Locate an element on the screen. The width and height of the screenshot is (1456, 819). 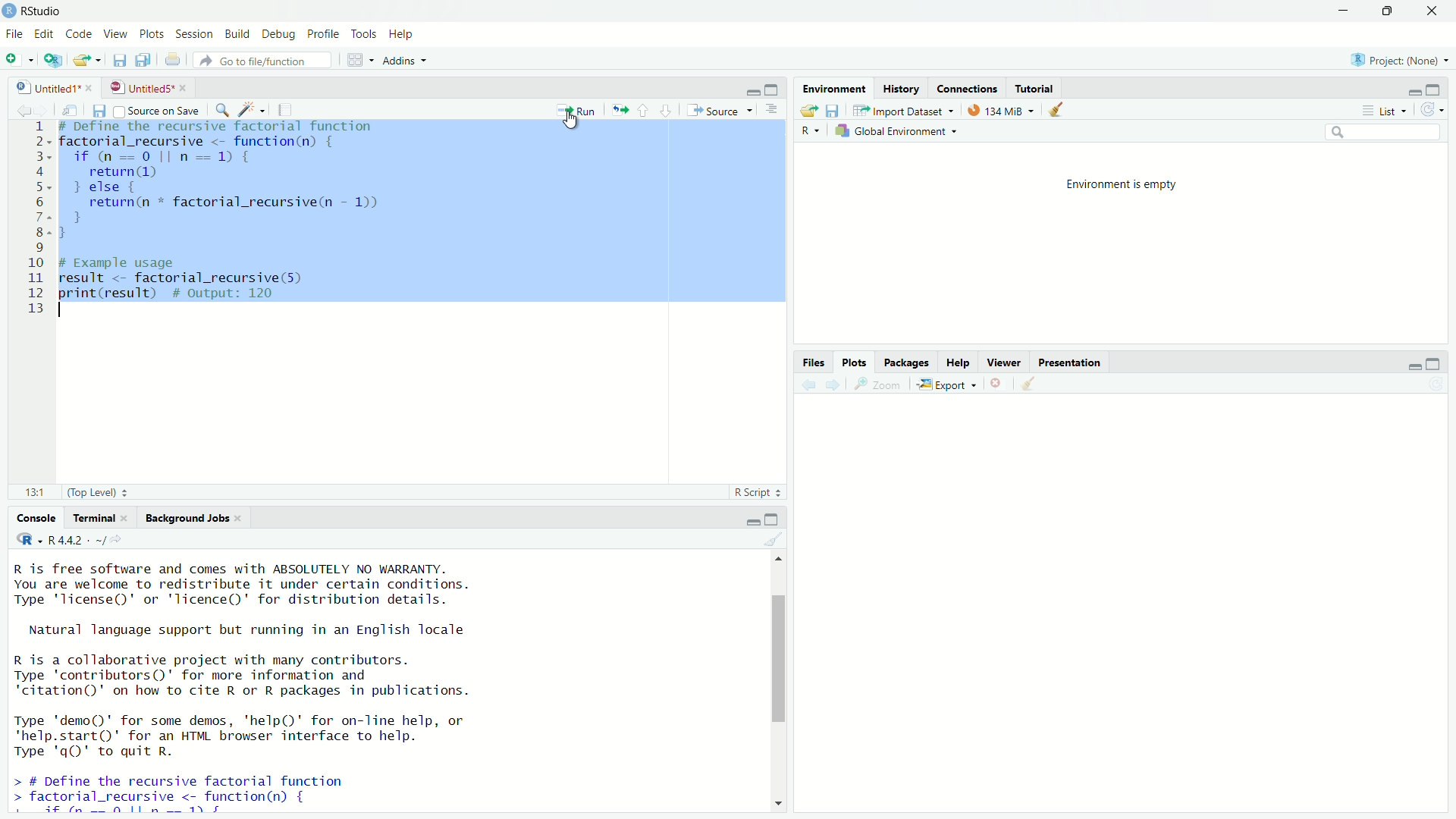
Maximize is located at coordinates (1384, 12).